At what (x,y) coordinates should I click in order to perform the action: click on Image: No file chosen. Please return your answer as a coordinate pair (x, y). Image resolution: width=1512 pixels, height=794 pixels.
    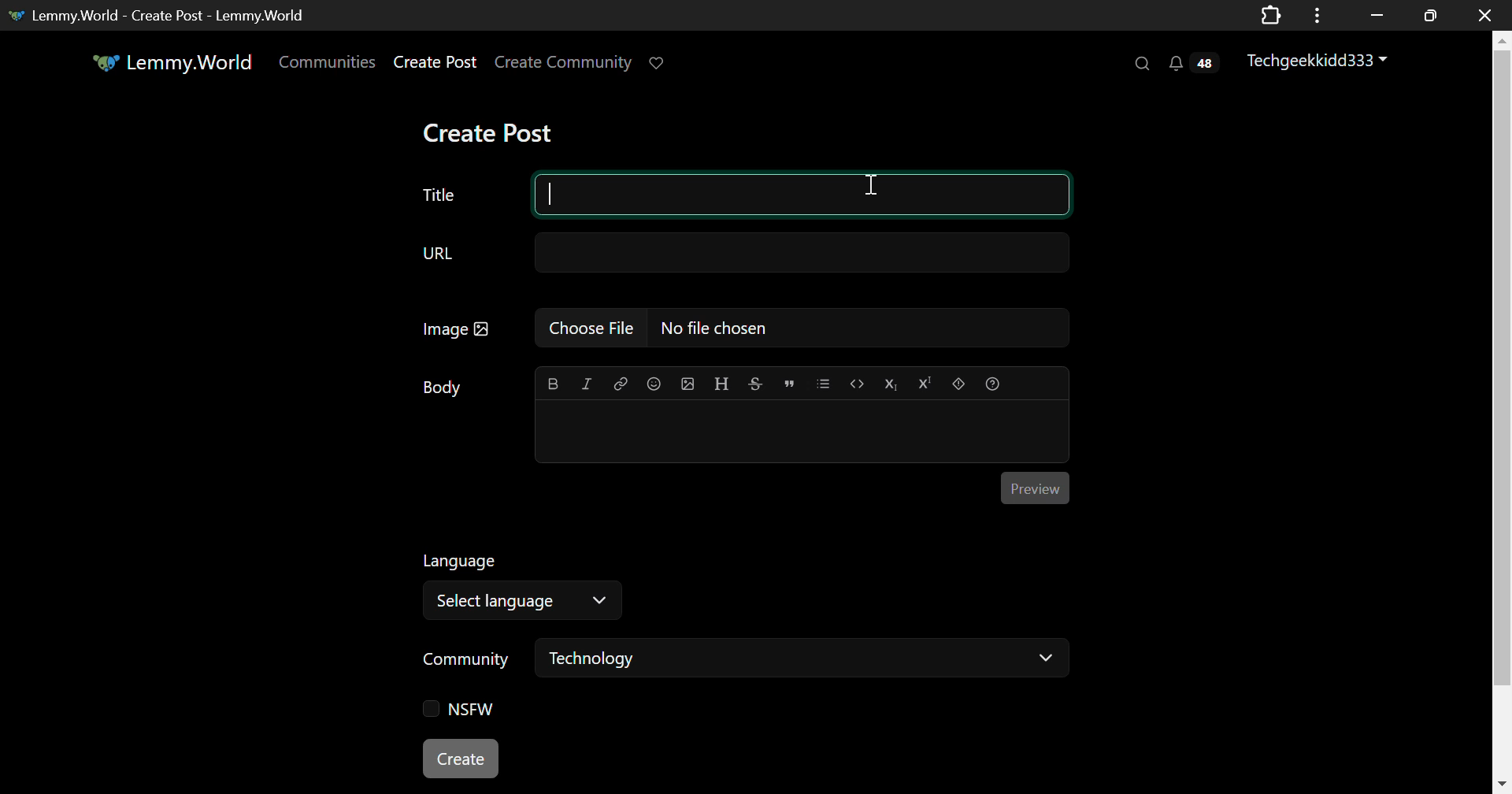
    Looking at the image, I should click on (756, 328).